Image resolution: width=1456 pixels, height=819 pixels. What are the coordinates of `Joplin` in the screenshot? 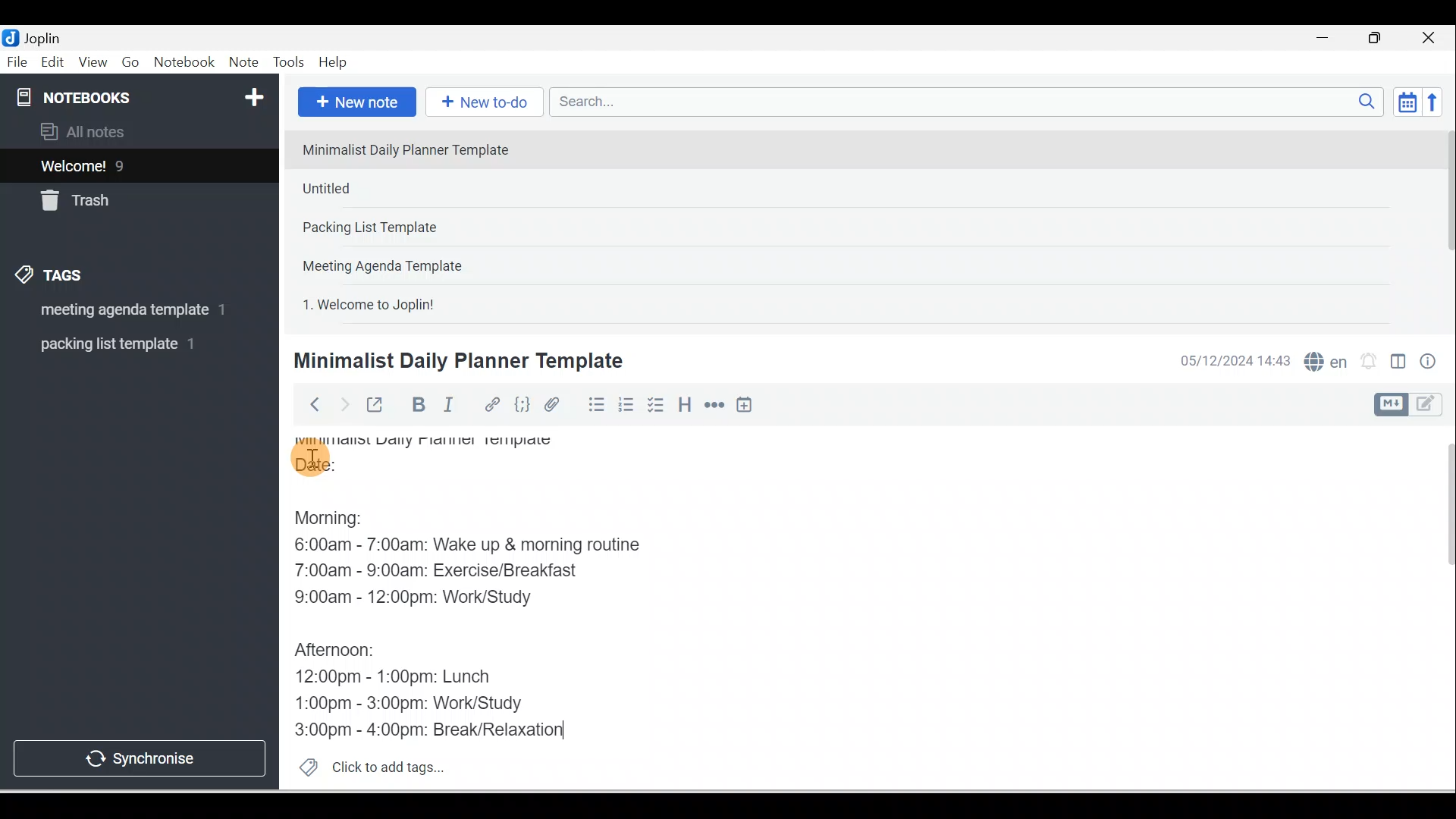 It's located at (46, 36).